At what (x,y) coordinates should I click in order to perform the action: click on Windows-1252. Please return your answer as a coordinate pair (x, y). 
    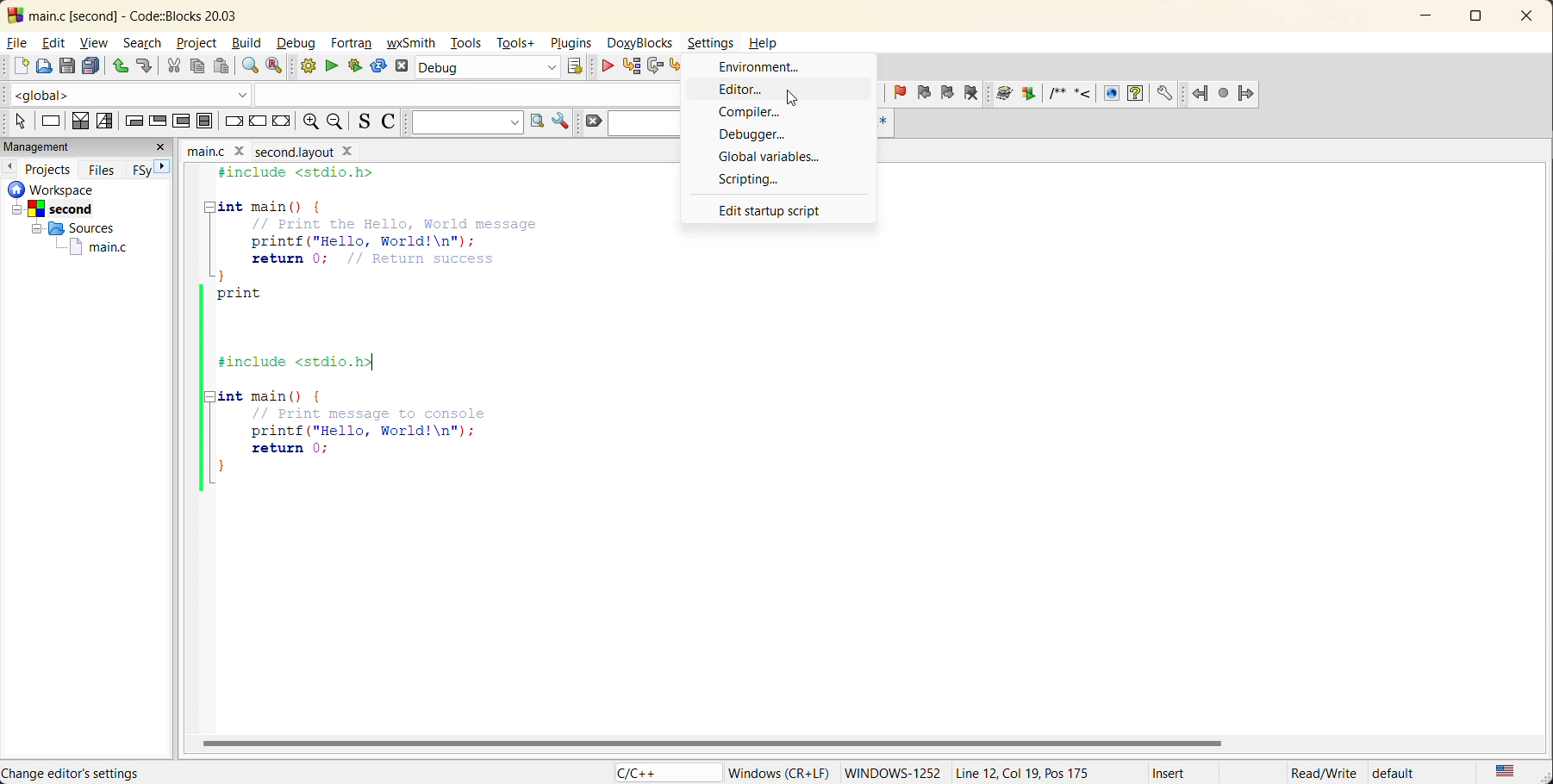
    Looking at the image, I should click on (895, 770).